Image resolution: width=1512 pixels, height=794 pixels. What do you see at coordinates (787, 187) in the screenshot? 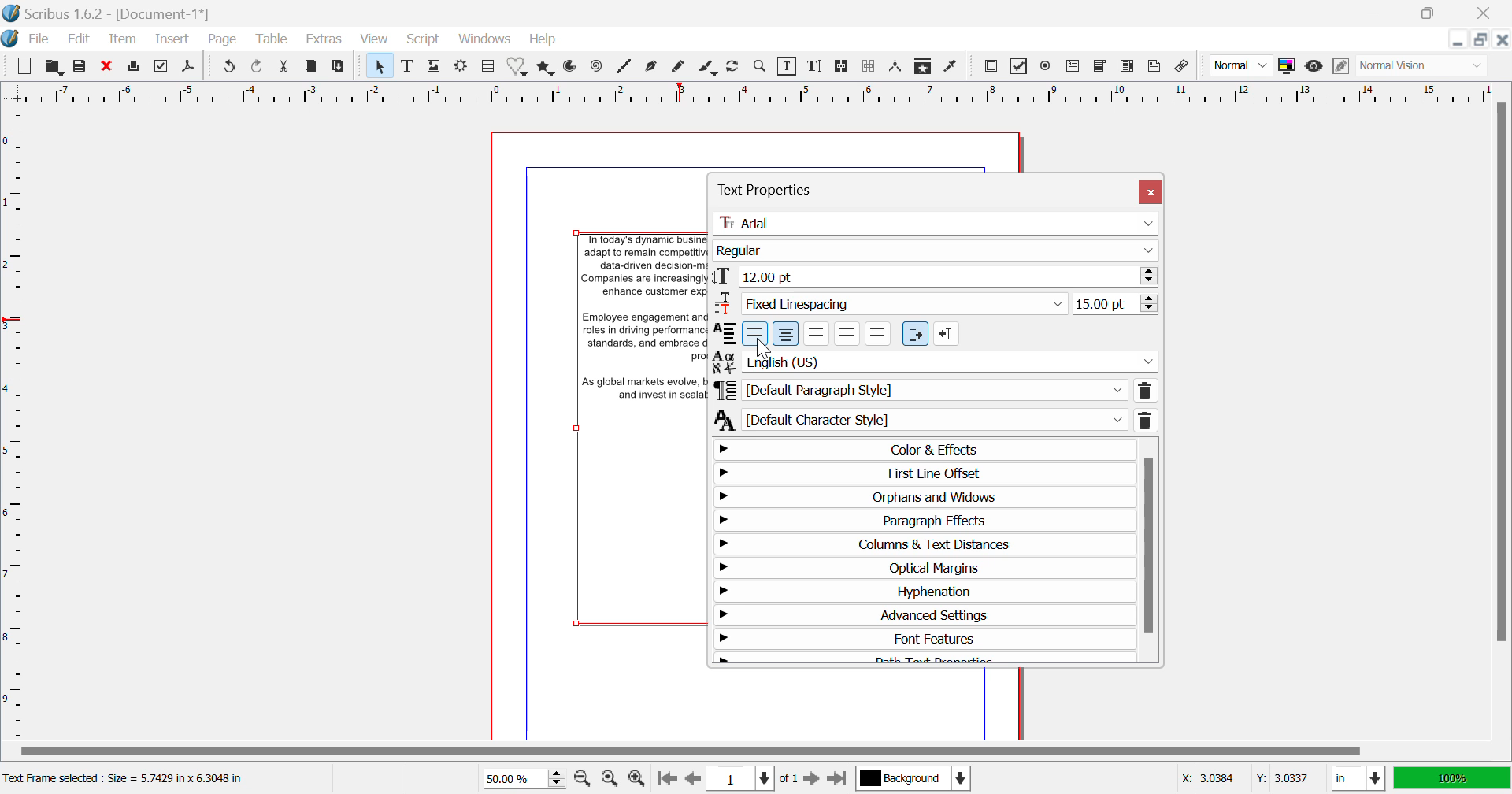
I see `Text Properties` at bounding box center [787, 187].